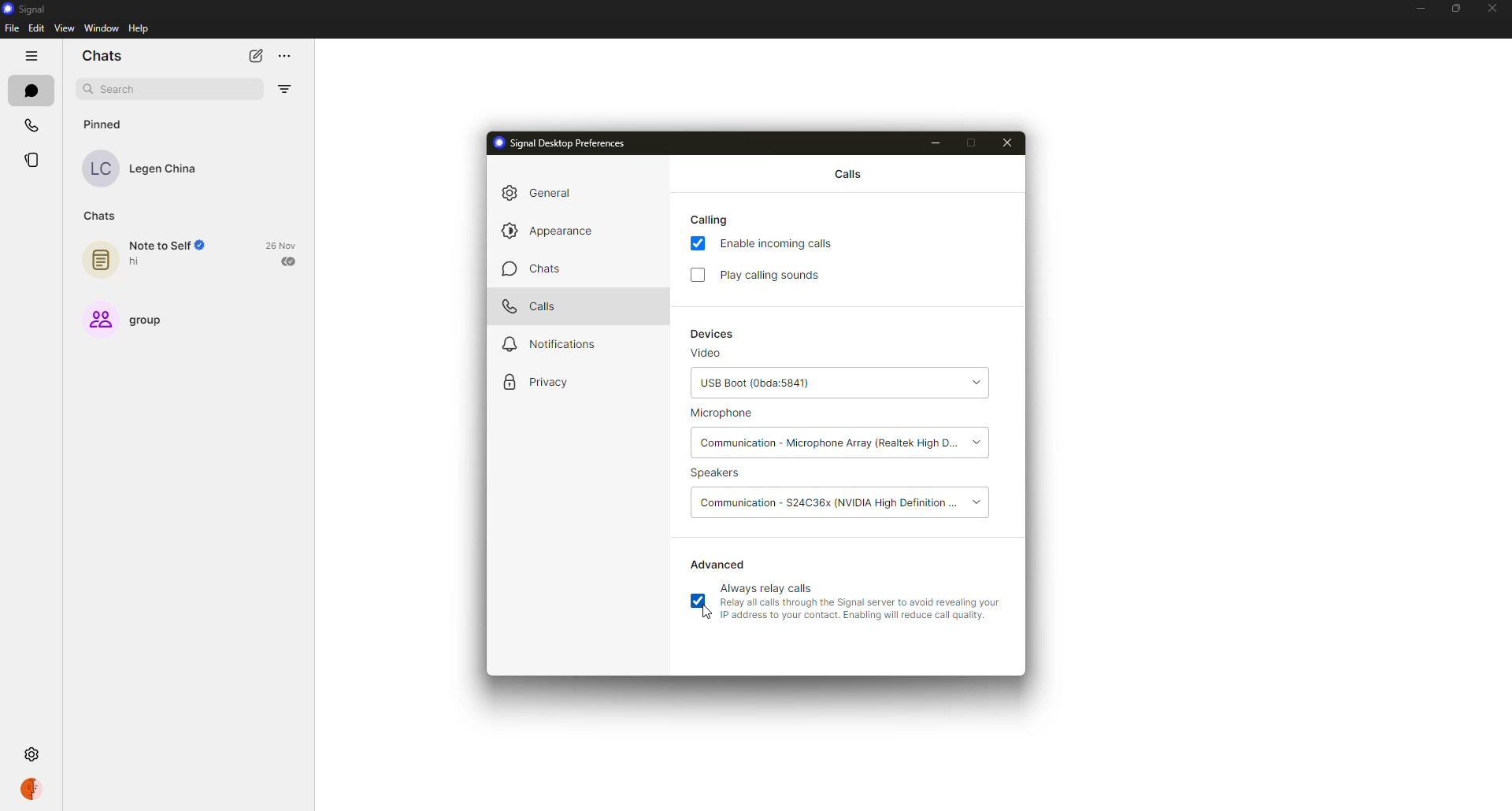 Image resolution: width=1512 pixels, height=811 pixels. Describe the element at coordinates (713, 335) in the screenshot. I see `devices` at that location.